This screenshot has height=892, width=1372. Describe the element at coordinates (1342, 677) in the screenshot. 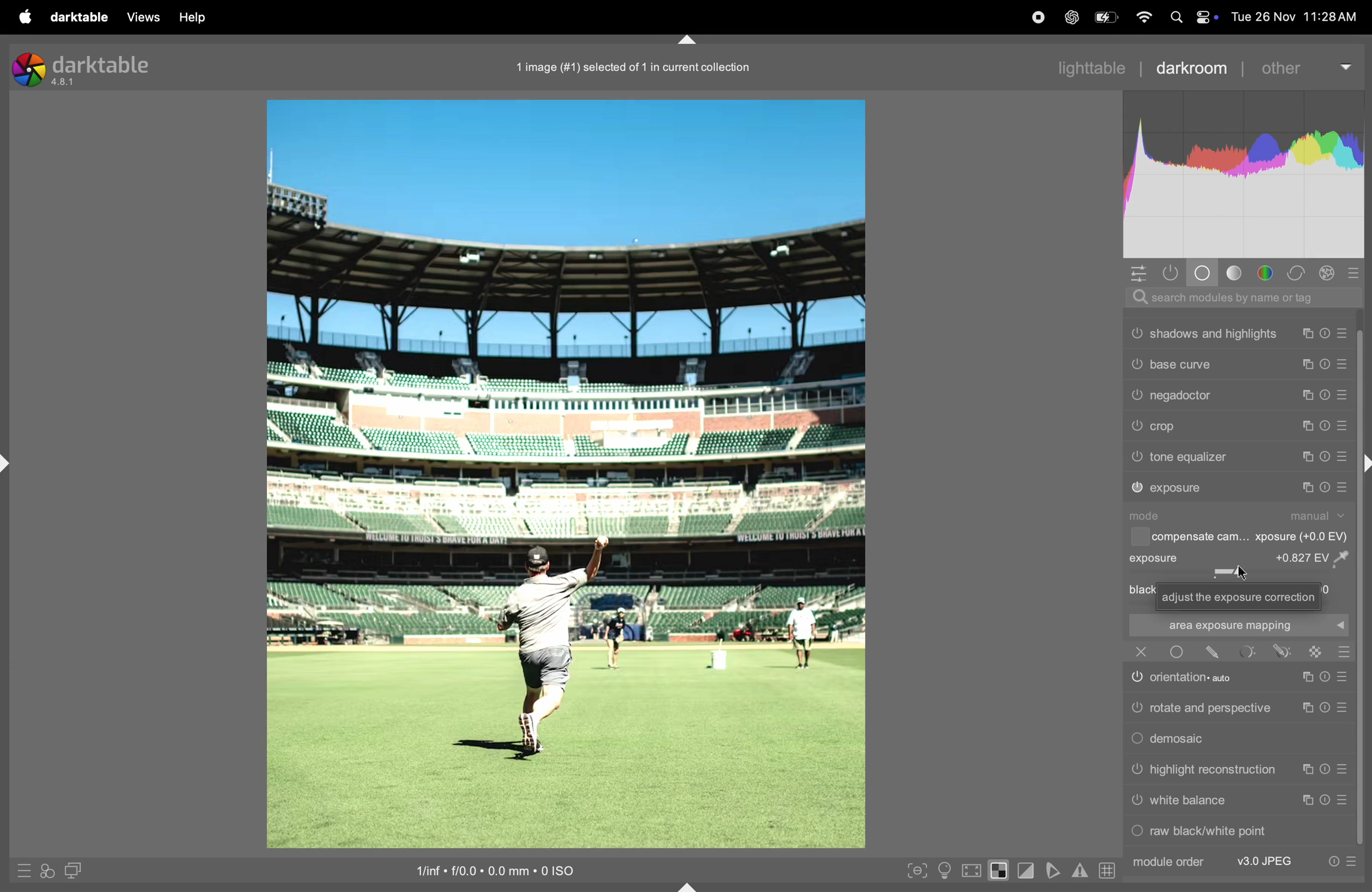

I see `Preset` at that location.